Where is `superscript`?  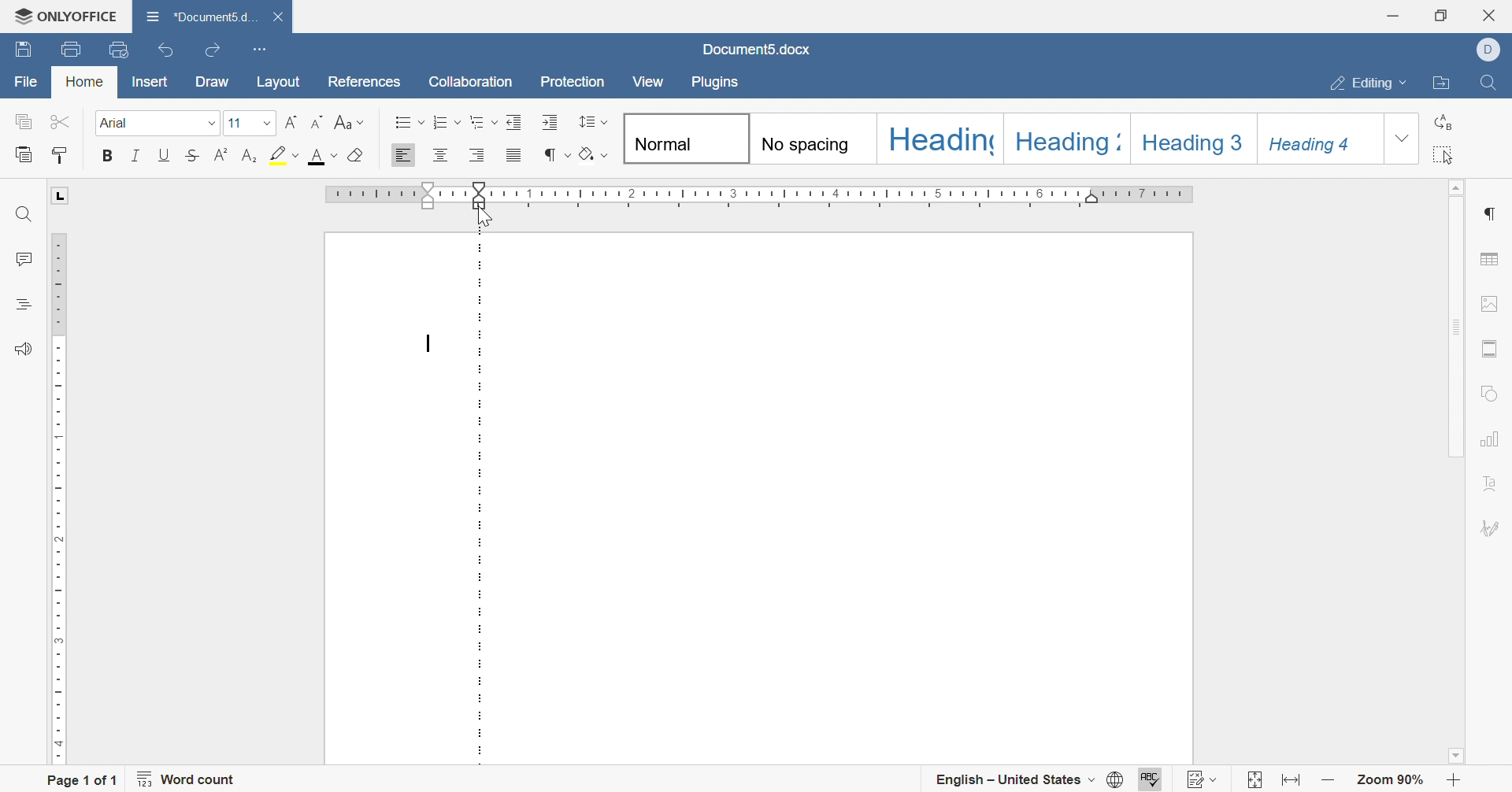
superscript is located at coordinates (222, 154).